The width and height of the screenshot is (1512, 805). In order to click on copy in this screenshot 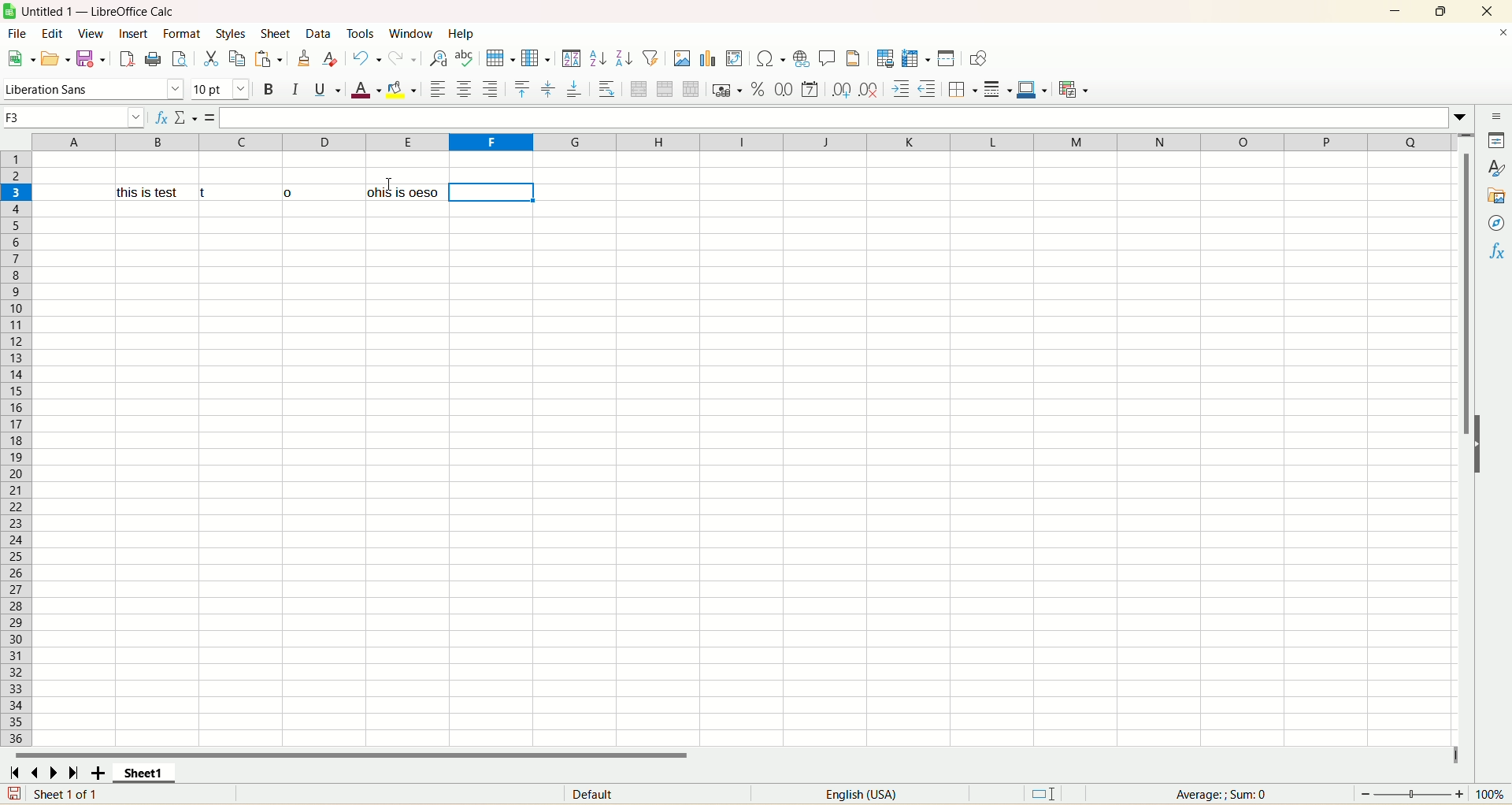, I will do `click(237, 57)`.